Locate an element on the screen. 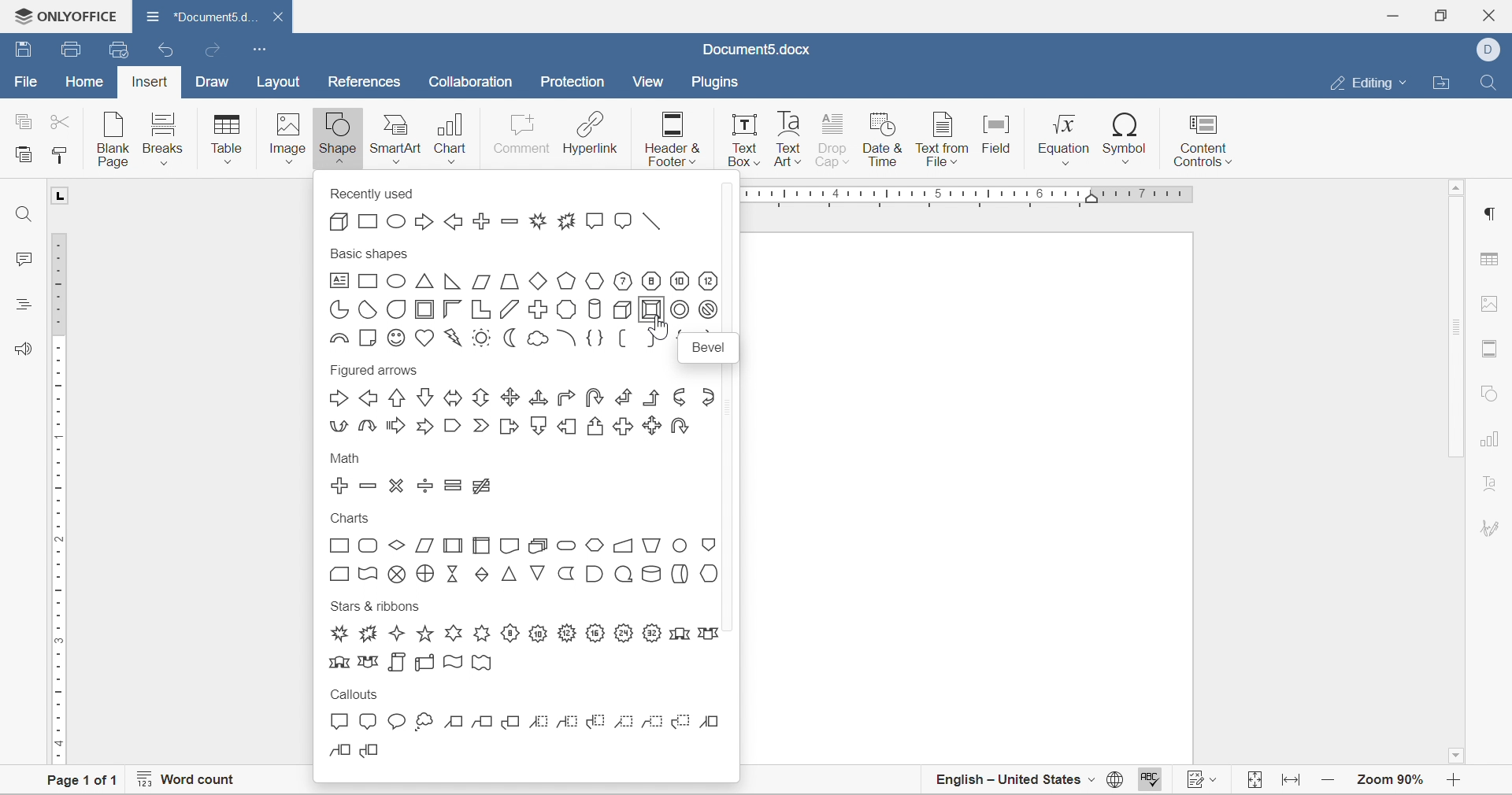 Image resolution: width=1512 pixels, height=795 pixels. set document language is located at coordinates (1117, 782).